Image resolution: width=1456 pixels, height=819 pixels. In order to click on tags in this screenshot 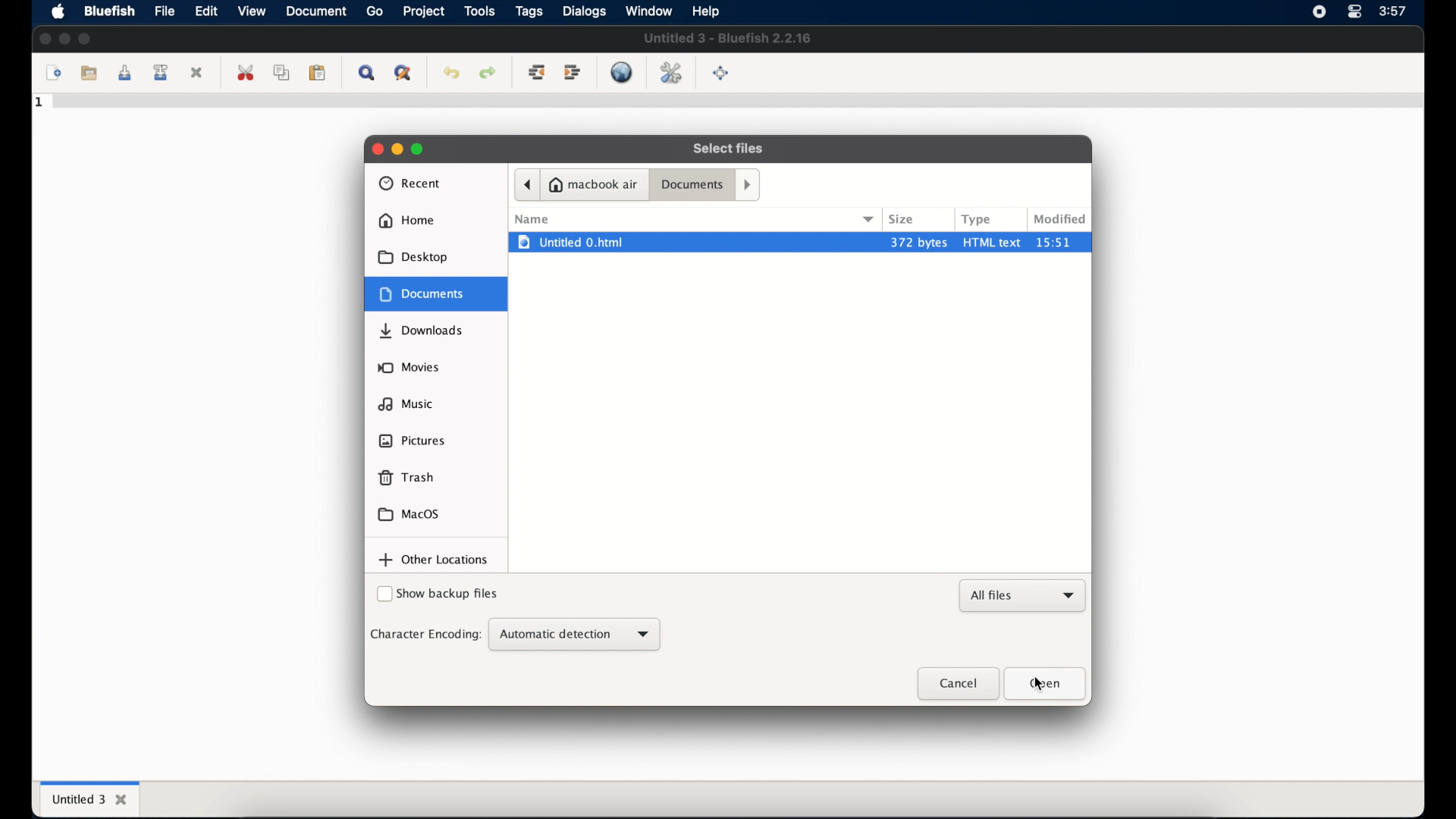, I will do `click(529, 11)`.